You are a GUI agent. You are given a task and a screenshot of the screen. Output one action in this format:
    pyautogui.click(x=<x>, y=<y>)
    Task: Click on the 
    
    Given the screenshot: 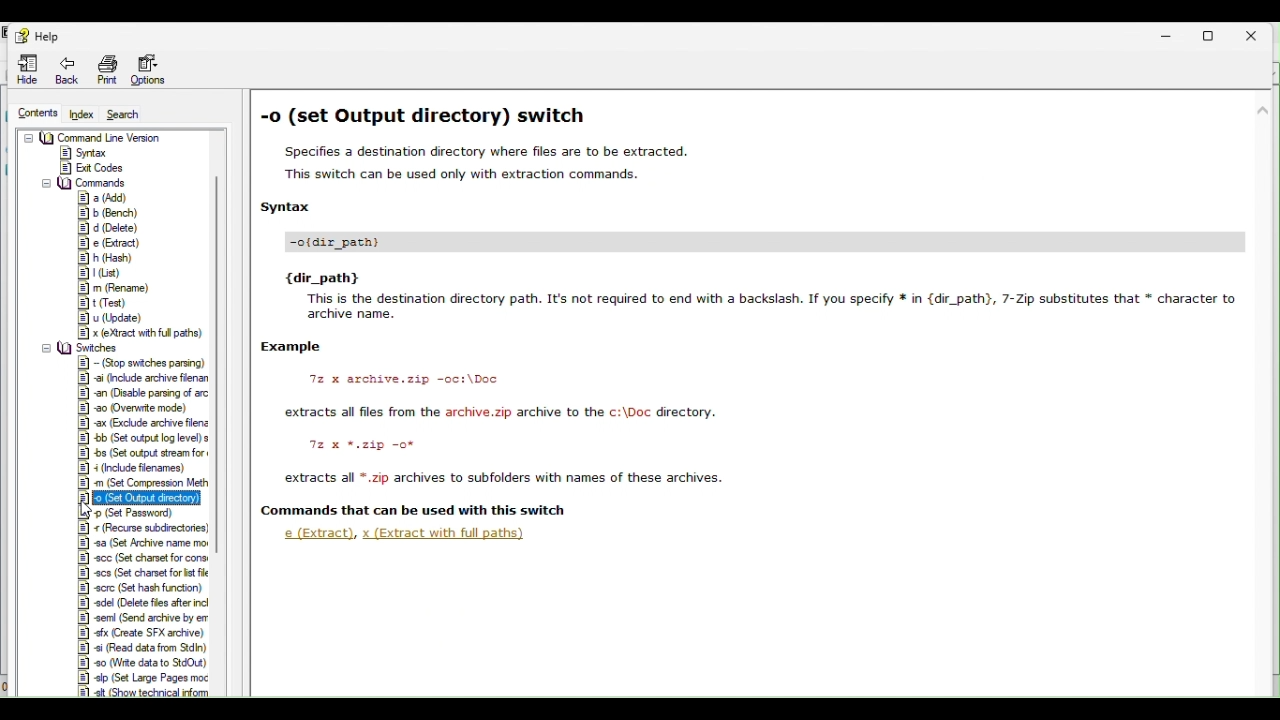 What is the action you would take?
    pyautogui.click(x=62, y=70)
    